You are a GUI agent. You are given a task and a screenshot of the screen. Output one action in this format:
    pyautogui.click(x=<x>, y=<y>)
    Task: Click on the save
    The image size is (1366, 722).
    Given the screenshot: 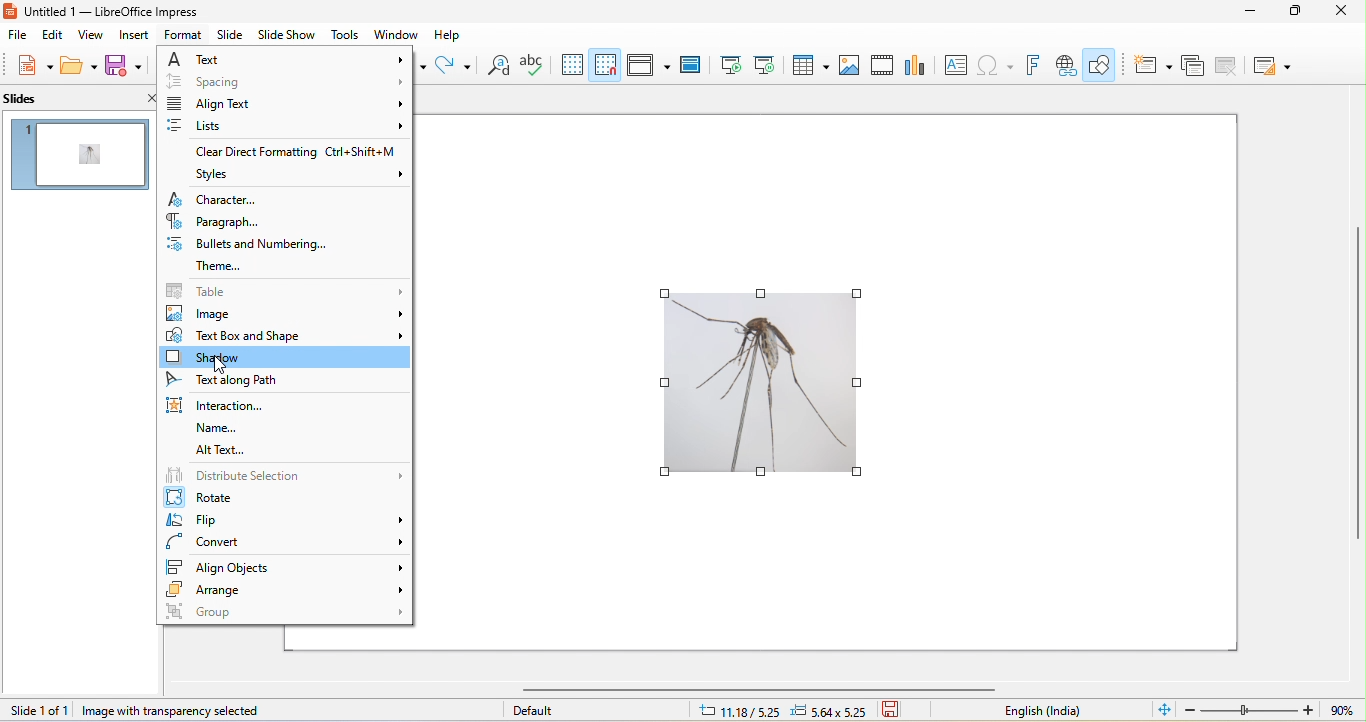 What is the action you would take?
    pyautogui.click(x=126, y=67)
    